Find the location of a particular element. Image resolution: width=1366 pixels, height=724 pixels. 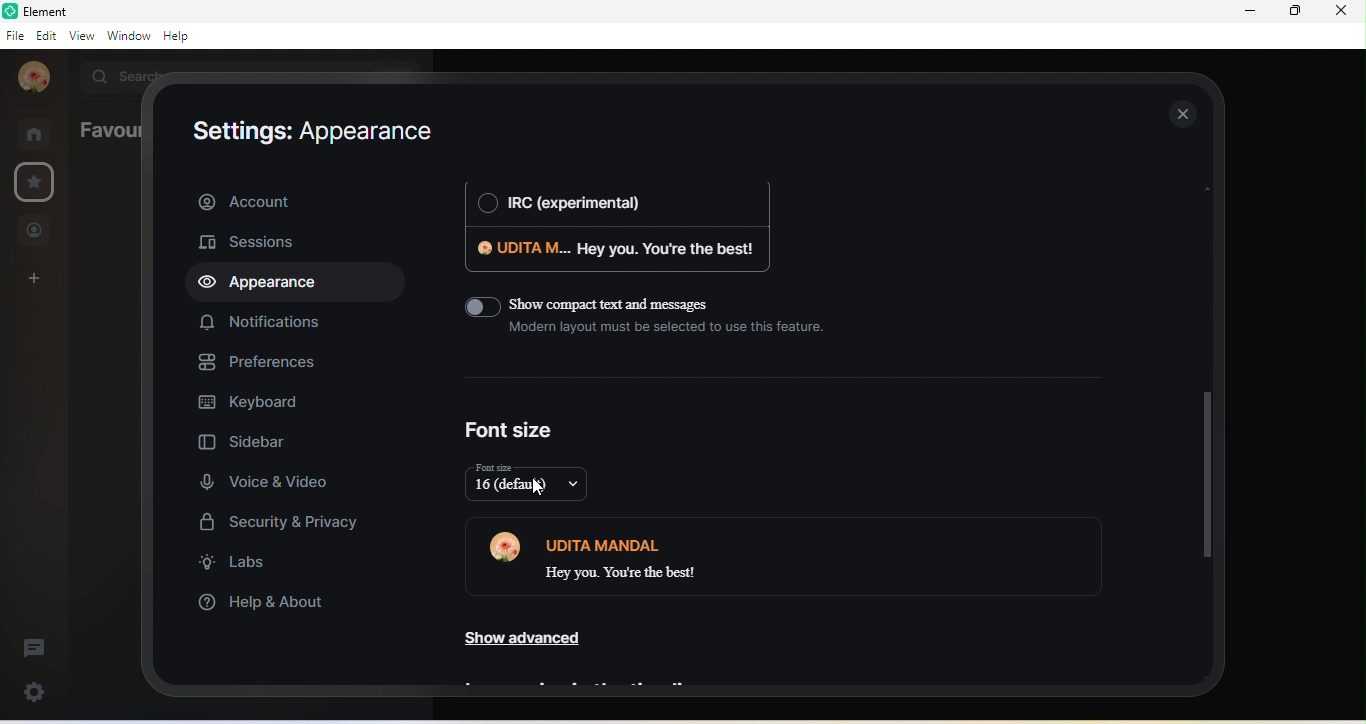

close is located at coordinates (1185, 113).